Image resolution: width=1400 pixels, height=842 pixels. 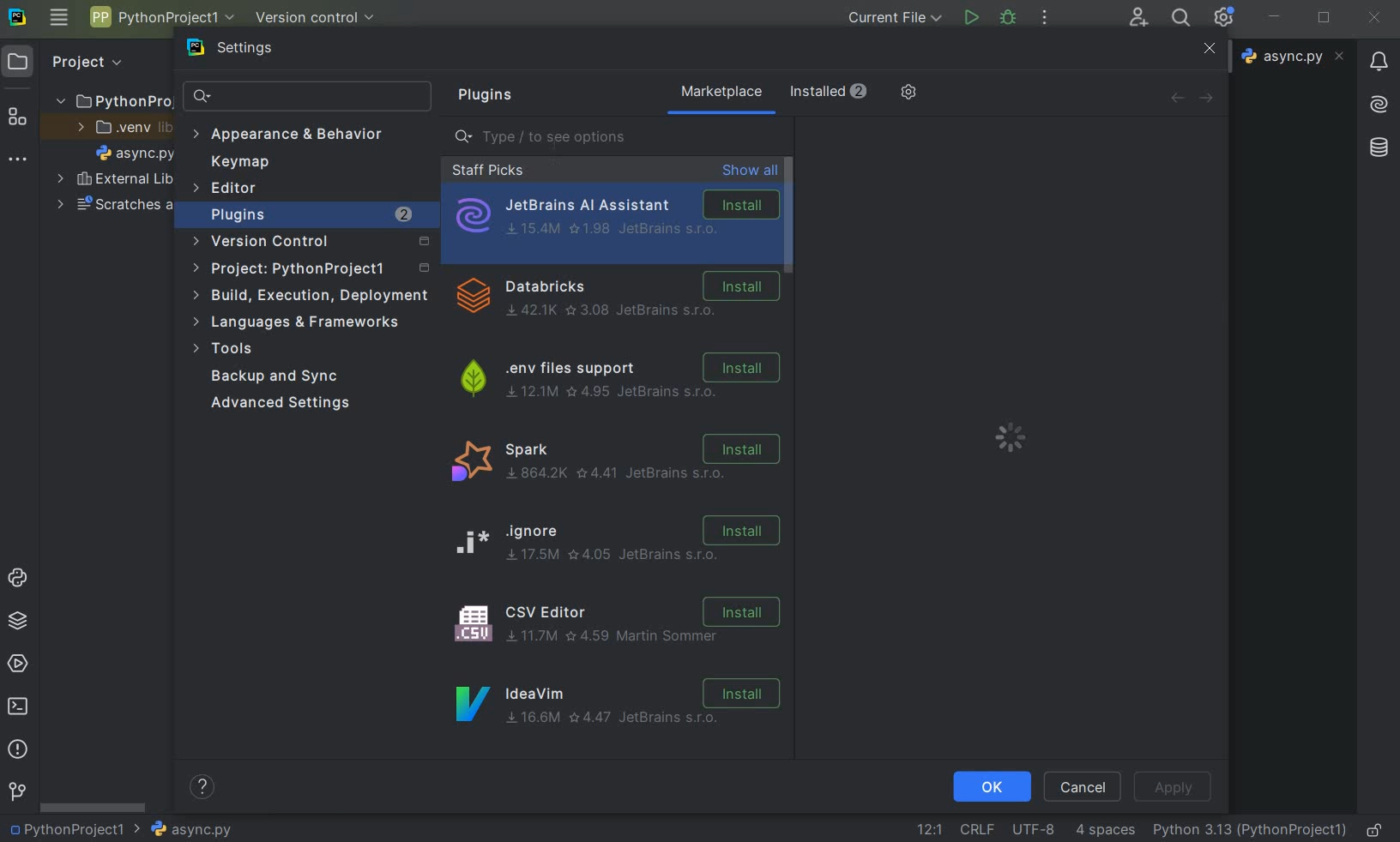 I want to click on AI Assistant, so click(x=1379, y=105).